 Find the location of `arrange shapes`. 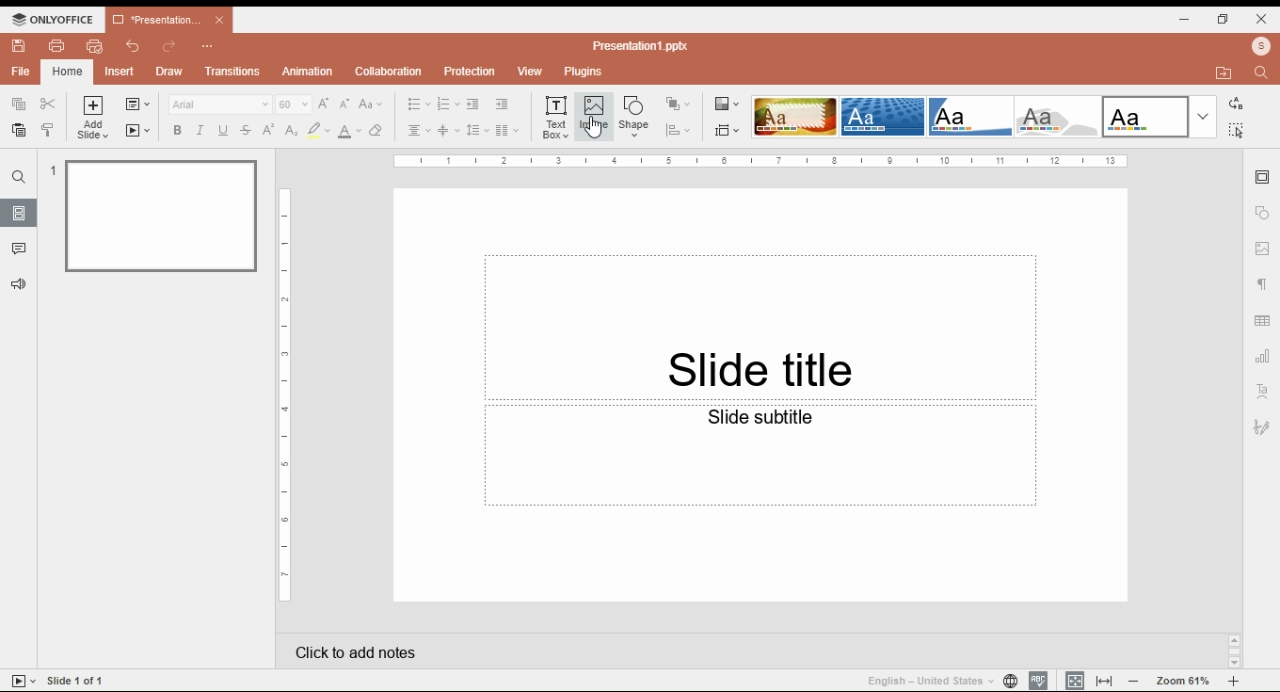

arrange shapes is located at coordinates (679, 105).